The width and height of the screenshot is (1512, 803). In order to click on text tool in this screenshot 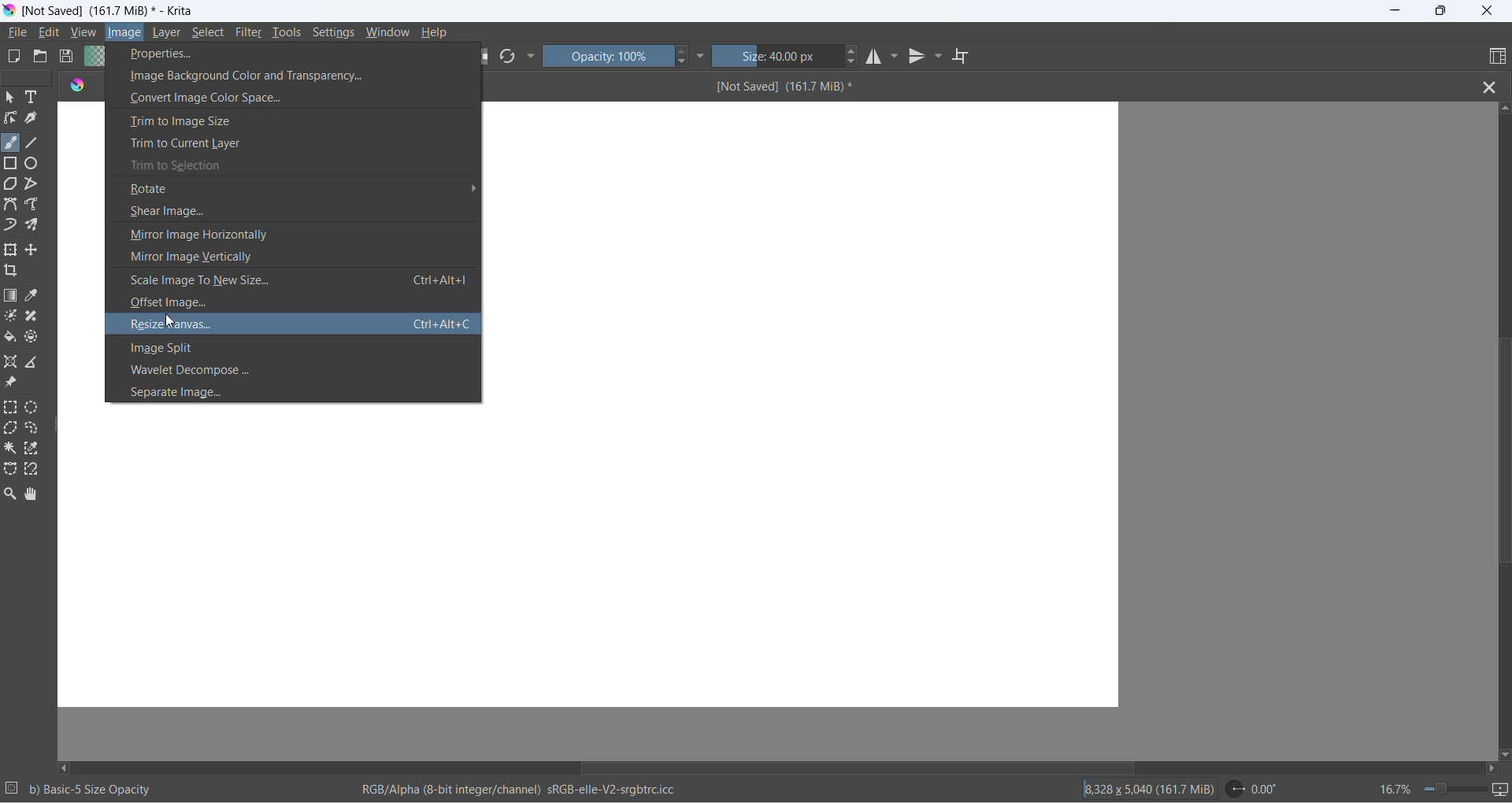, I will do `click(34, 98)`.